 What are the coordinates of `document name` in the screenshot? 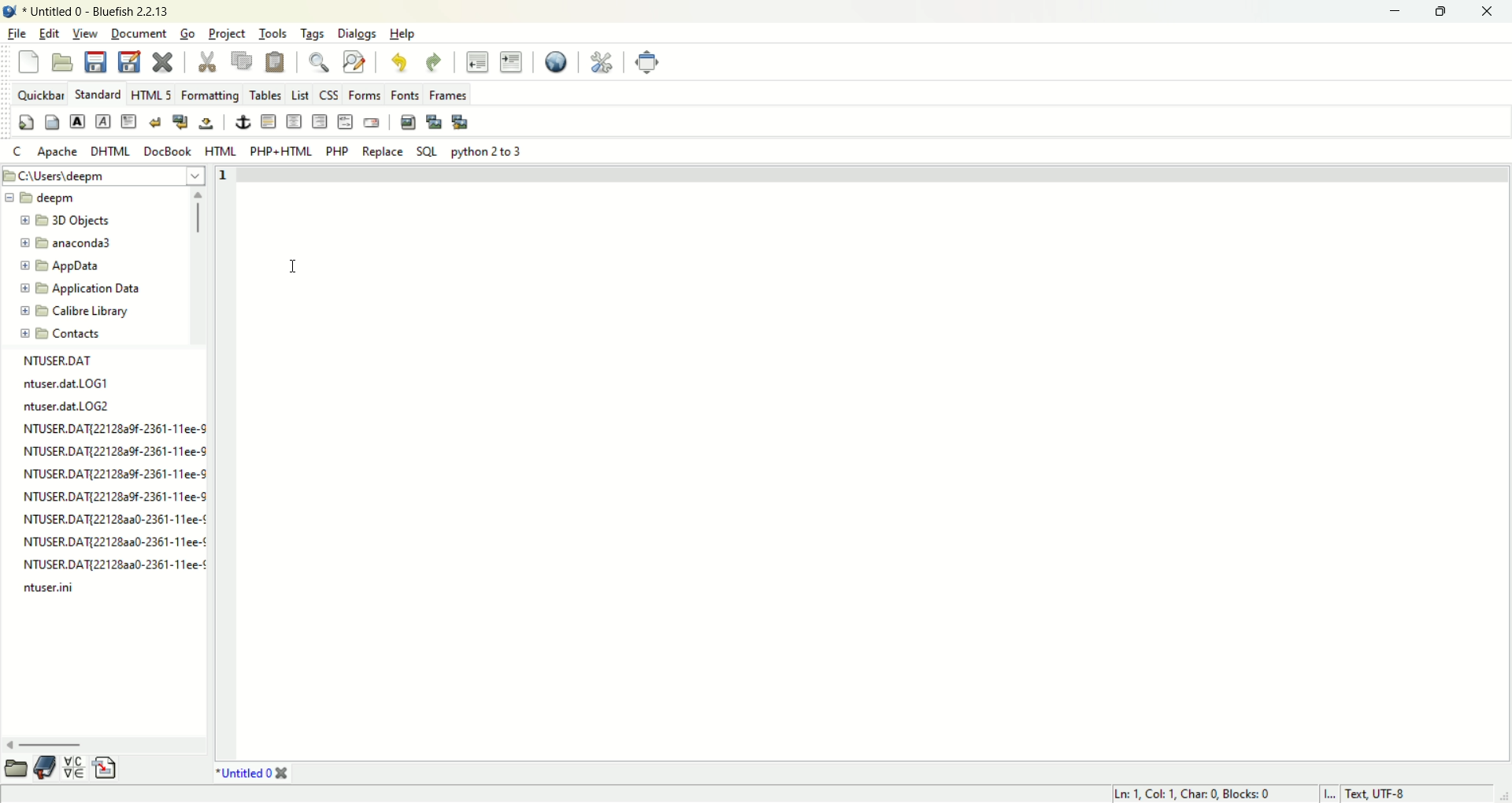 It's located at (246, 770).